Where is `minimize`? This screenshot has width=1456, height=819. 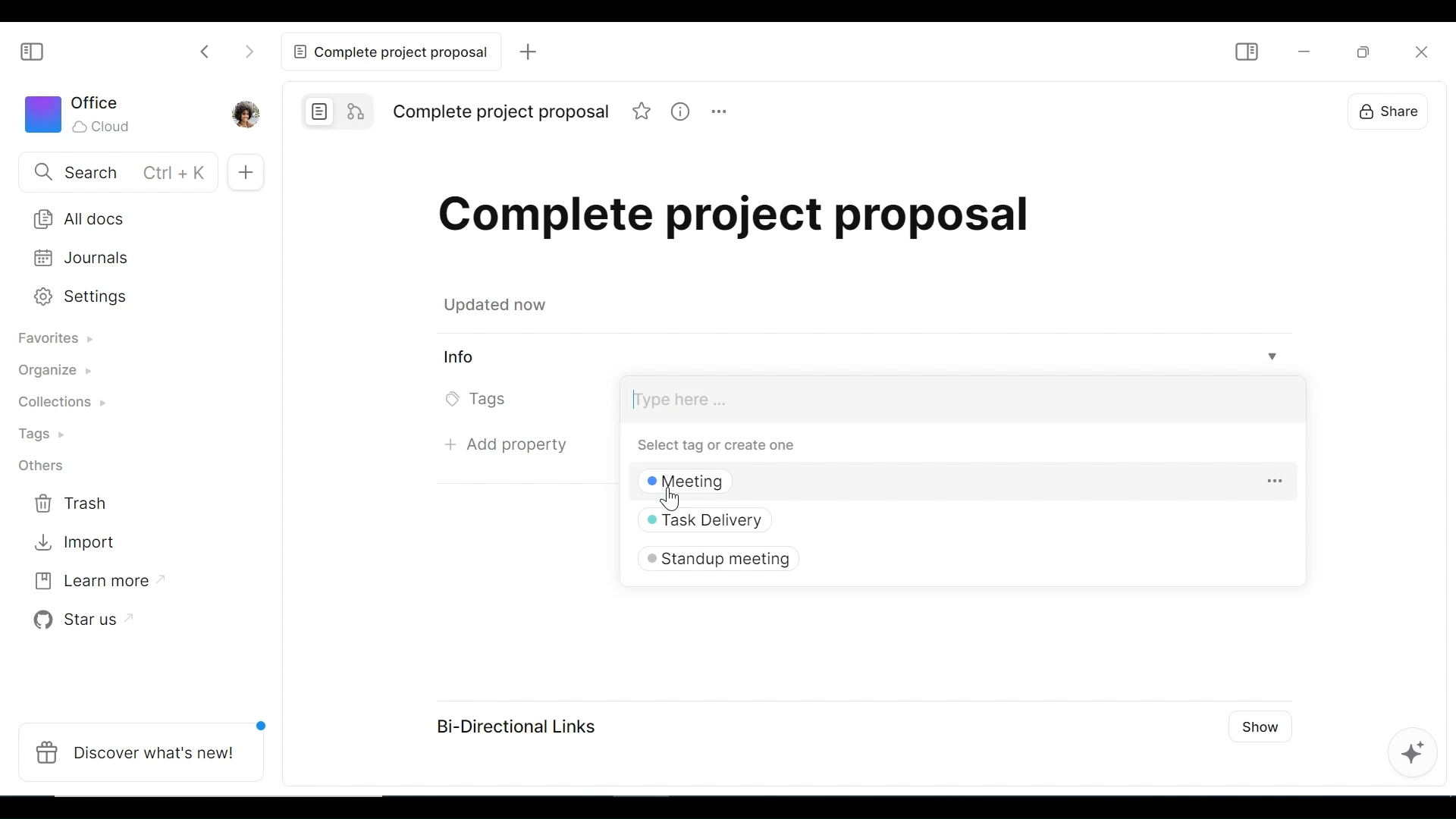
minimize is located at coordinates (1304, 50).